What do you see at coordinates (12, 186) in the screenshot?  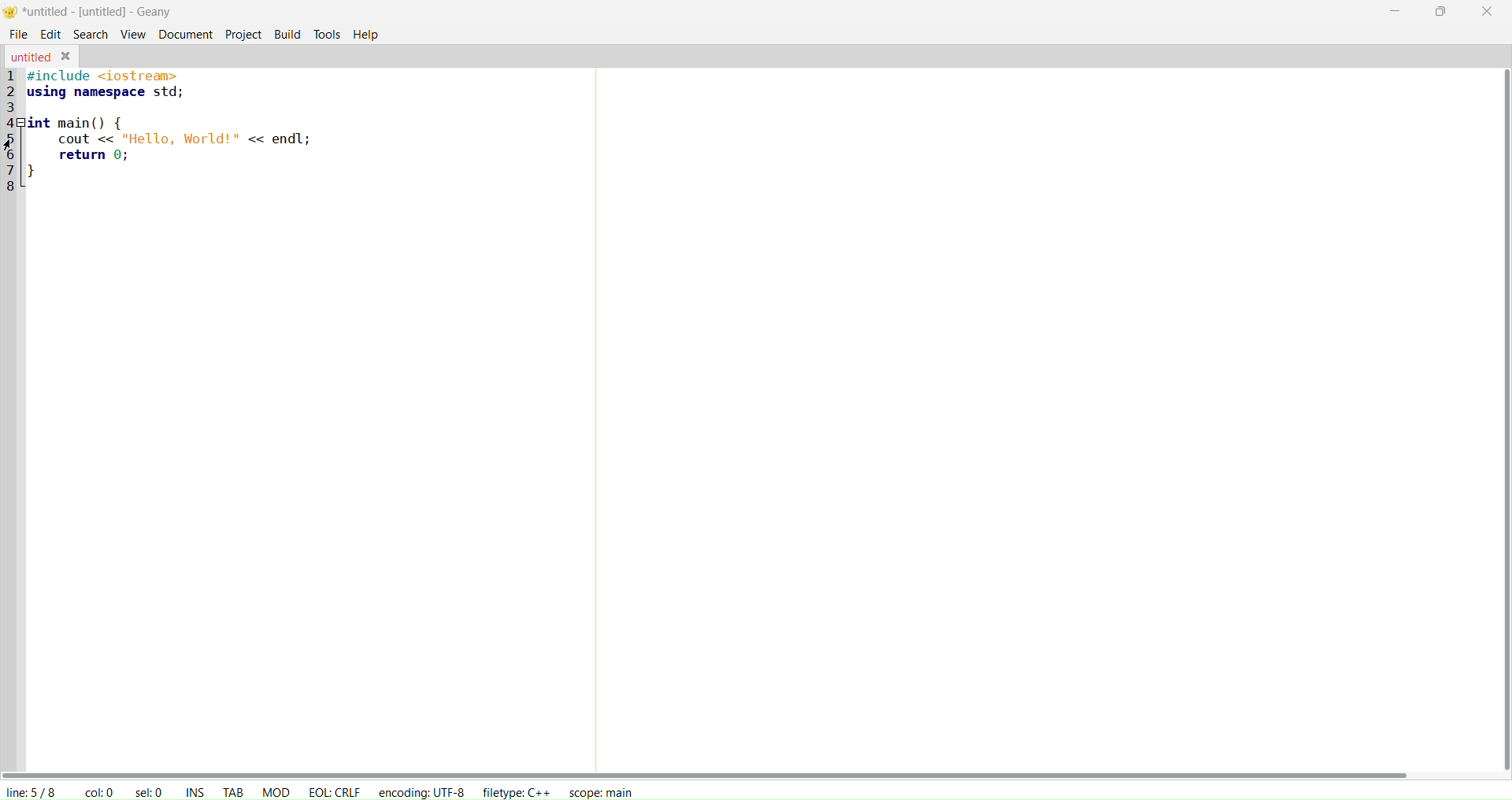 I see `8` at bounding box center [12, 186].